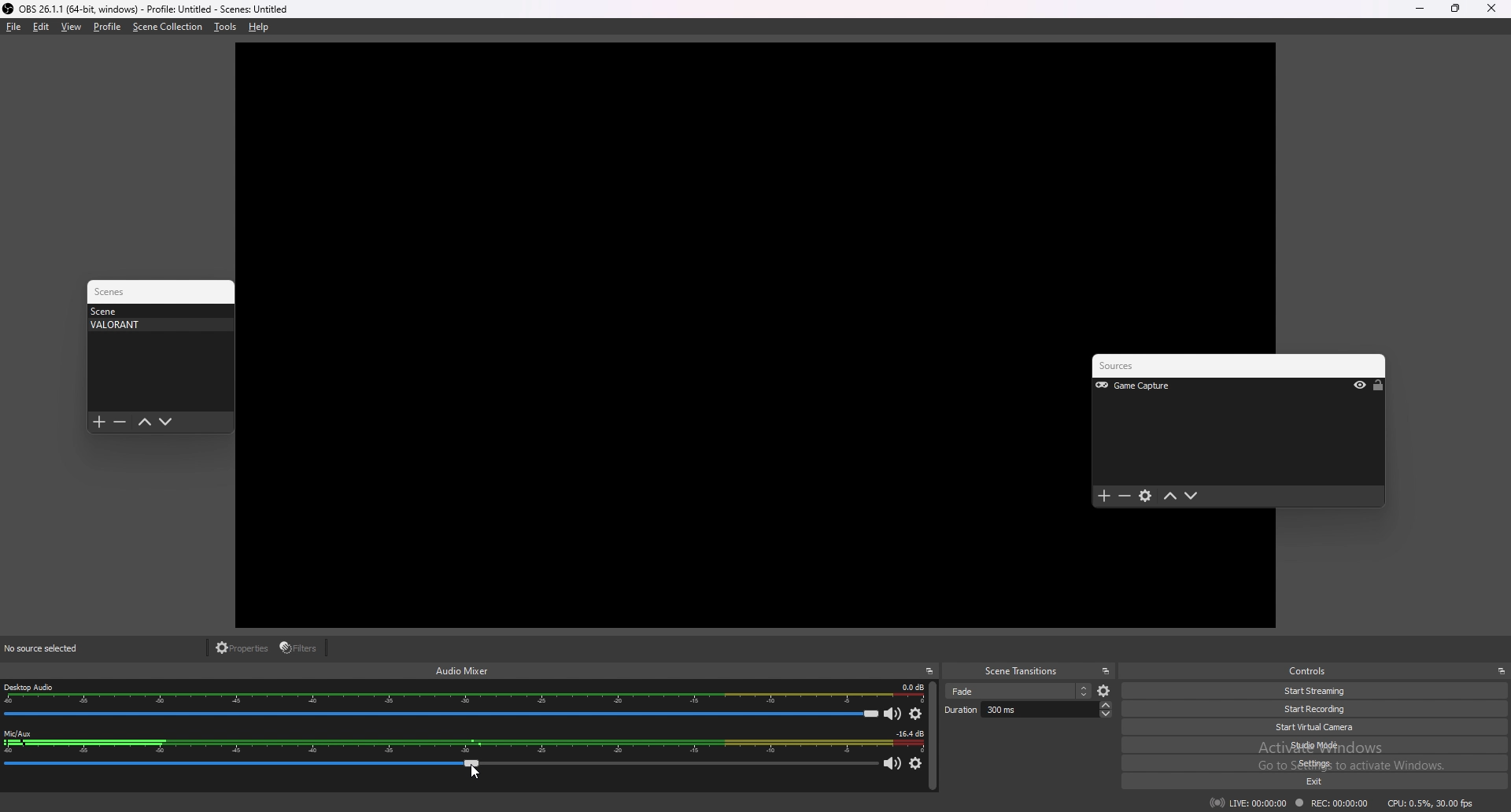 The width and height of the screenshot is (1511, 812). Describe the element at coordinates (1021, 672) in the screenshot. I see `scene transitions` at that location.